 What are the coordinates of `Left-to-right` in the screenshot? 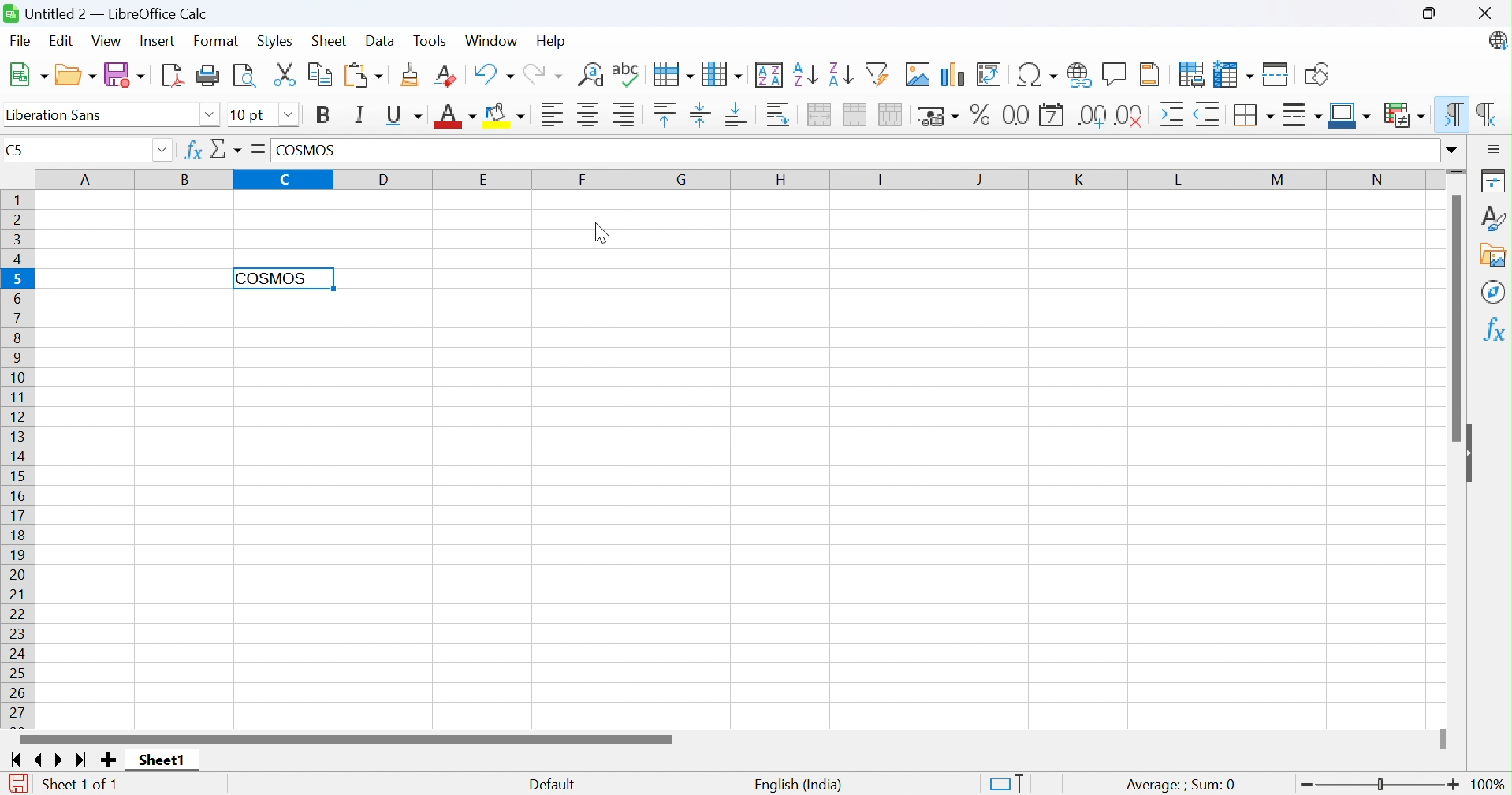 It's located at (1454, 114).